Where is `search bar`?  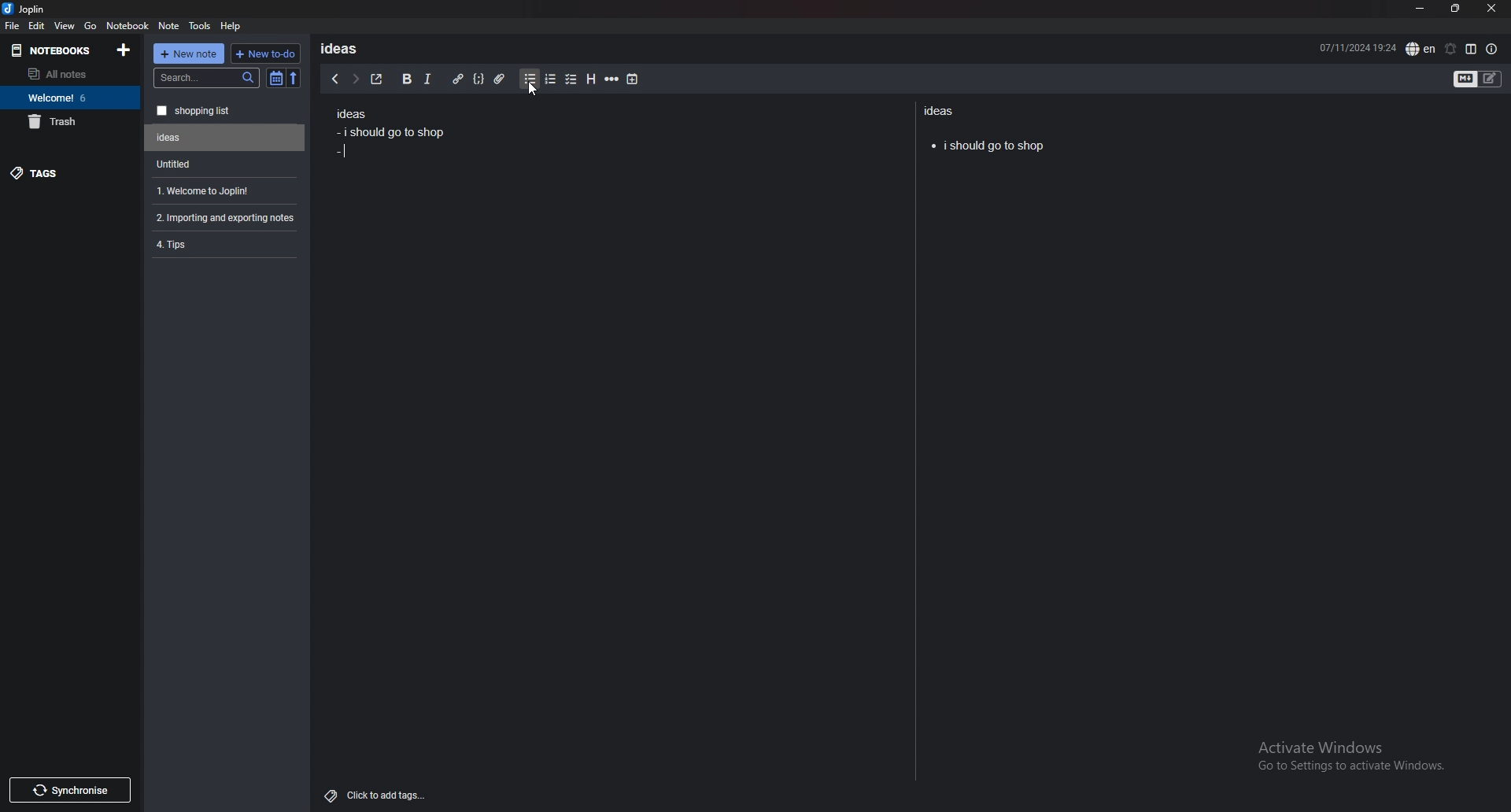
search bar is located at coordinates (207, 78).